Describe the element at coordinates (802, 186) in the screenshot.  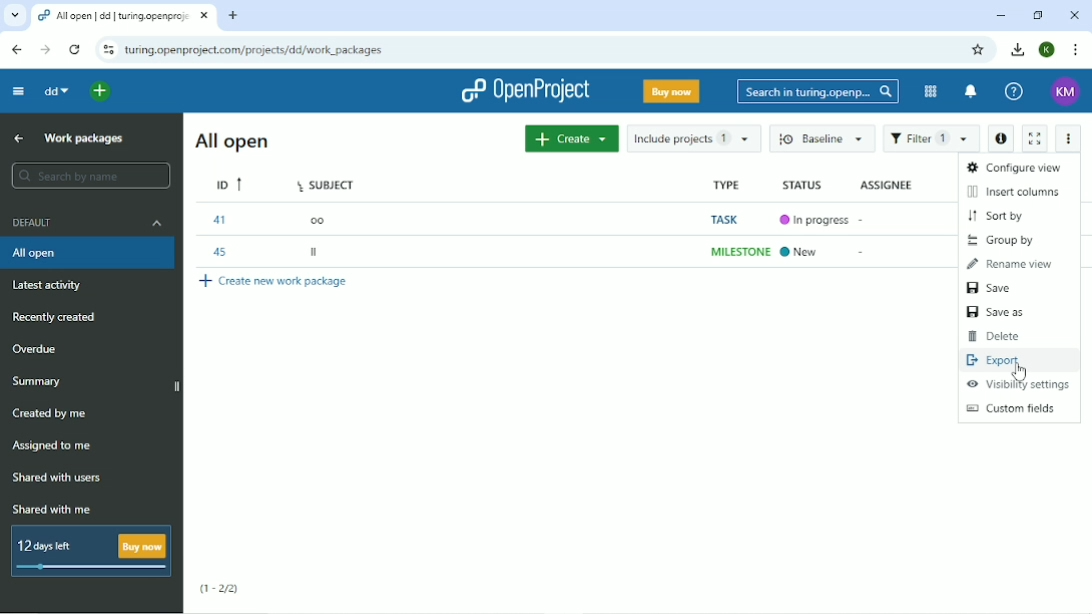
I see `Status` at that location.